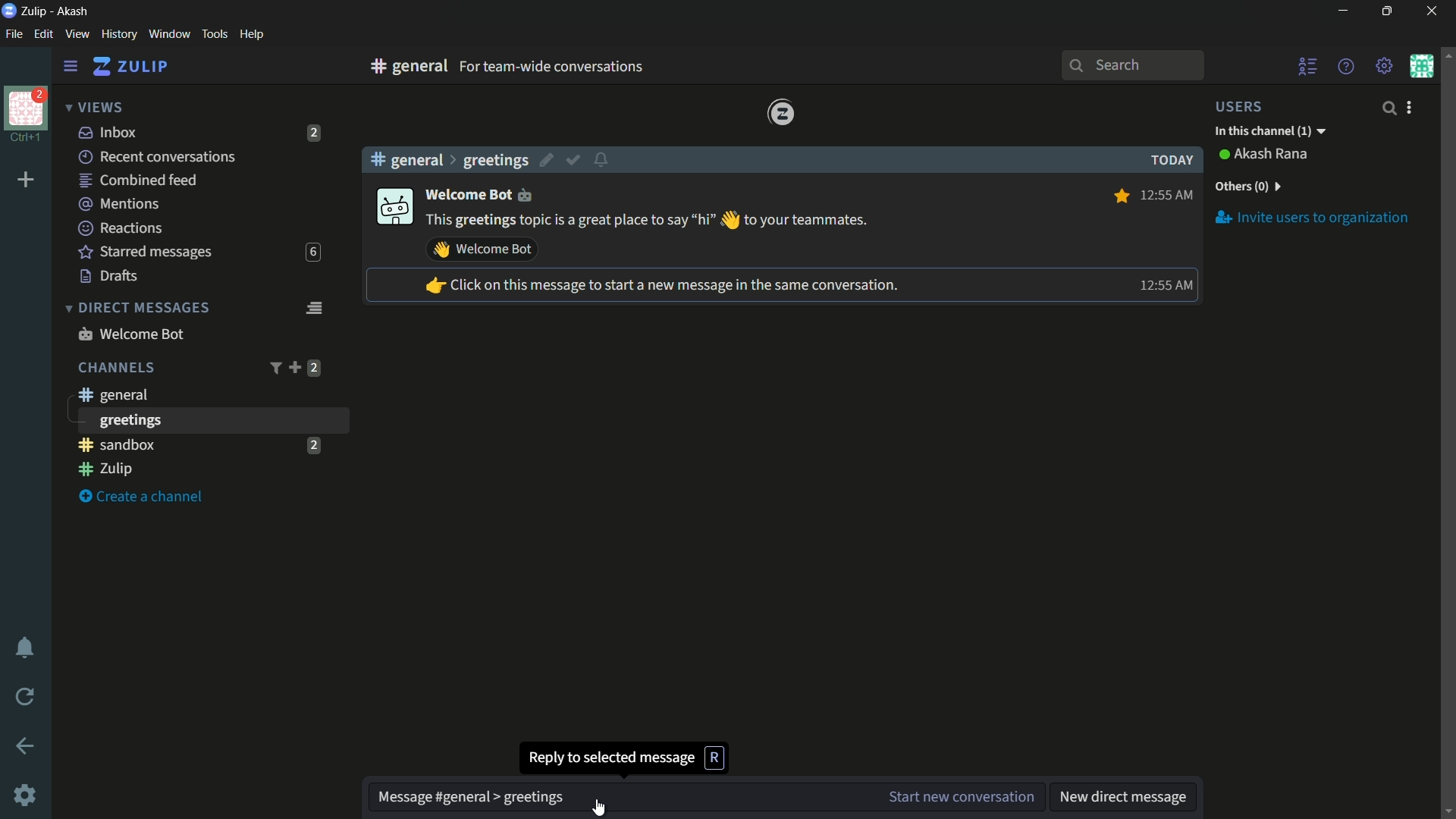  I want to click on add channel, so click(294, 367).